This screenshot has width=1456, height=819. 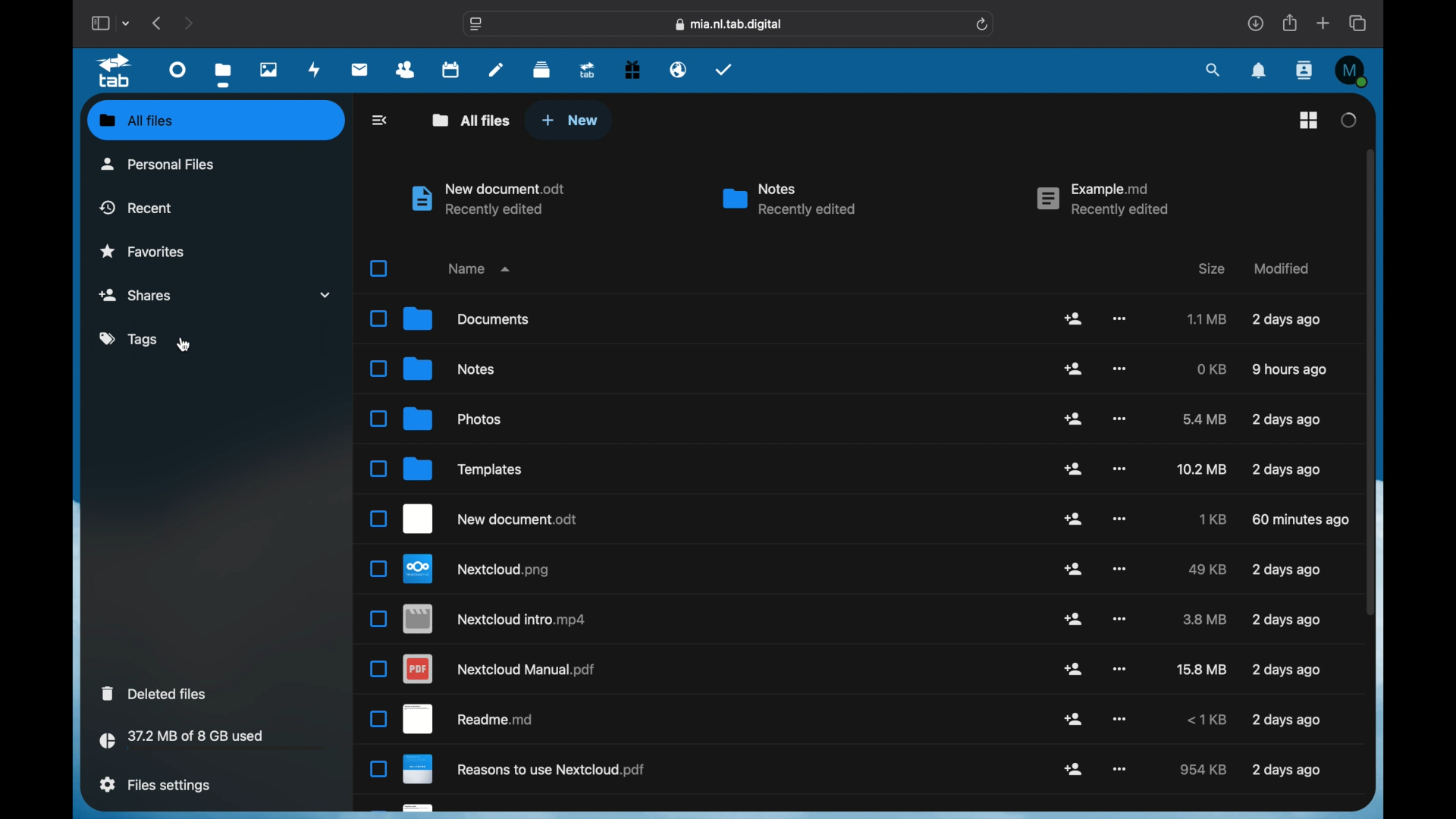 I want to click on Unselected checkbox, so click(x=377, y=768).